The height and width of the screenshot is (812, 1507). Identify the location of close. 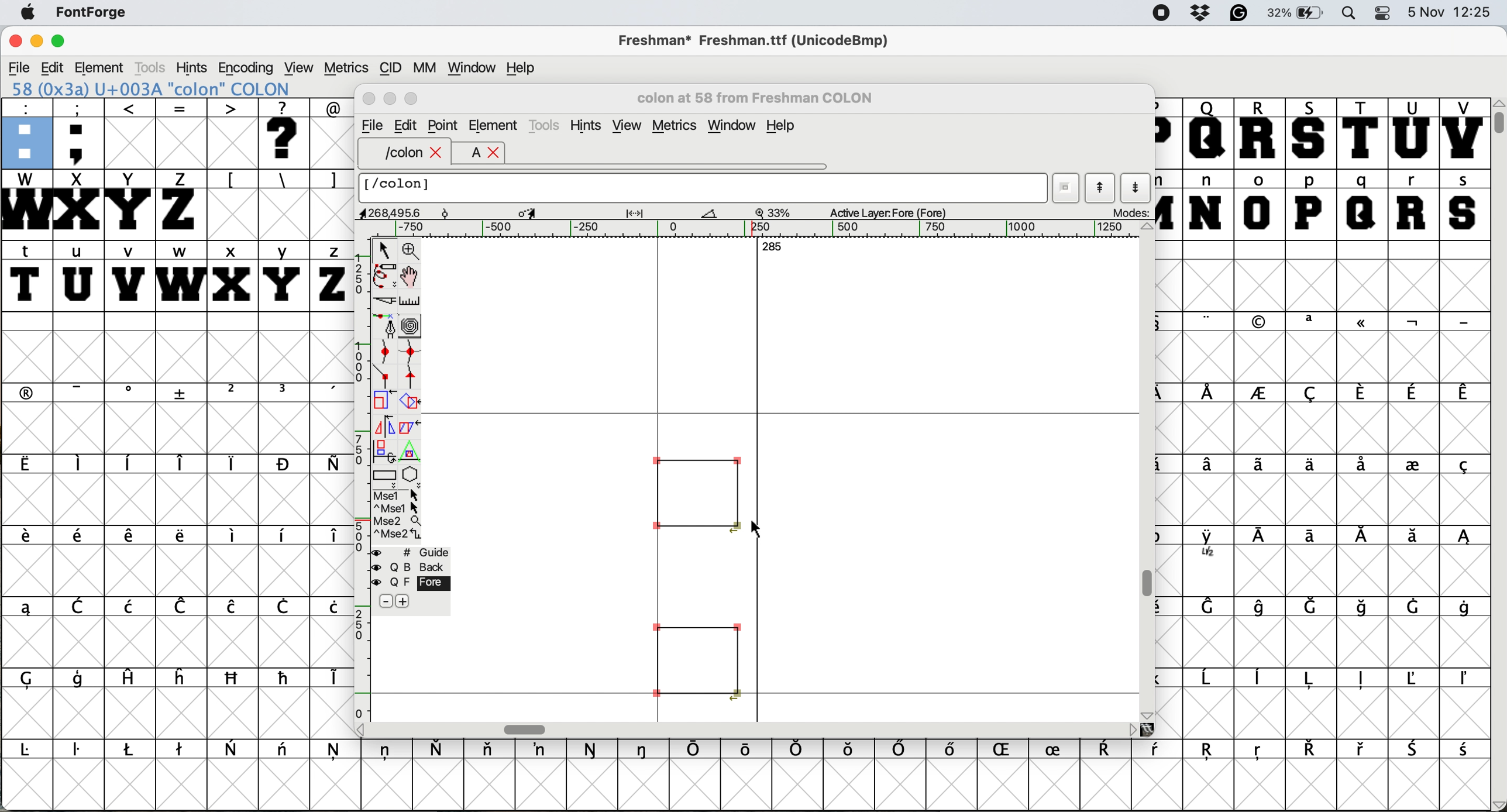
(495, 154).